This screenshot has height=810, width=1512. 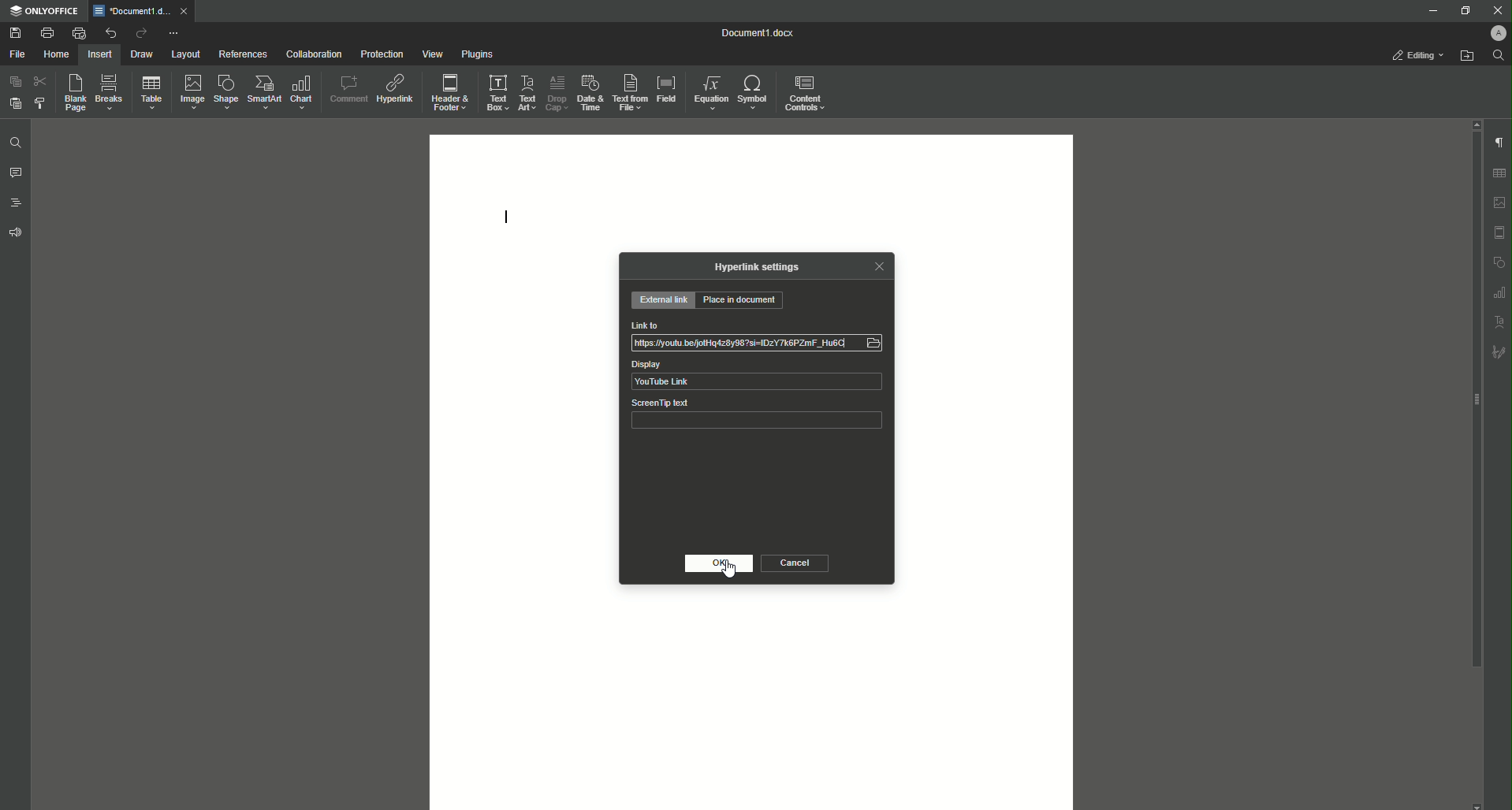 I want to click on ScreenTip text, so click(x=758, y=423).